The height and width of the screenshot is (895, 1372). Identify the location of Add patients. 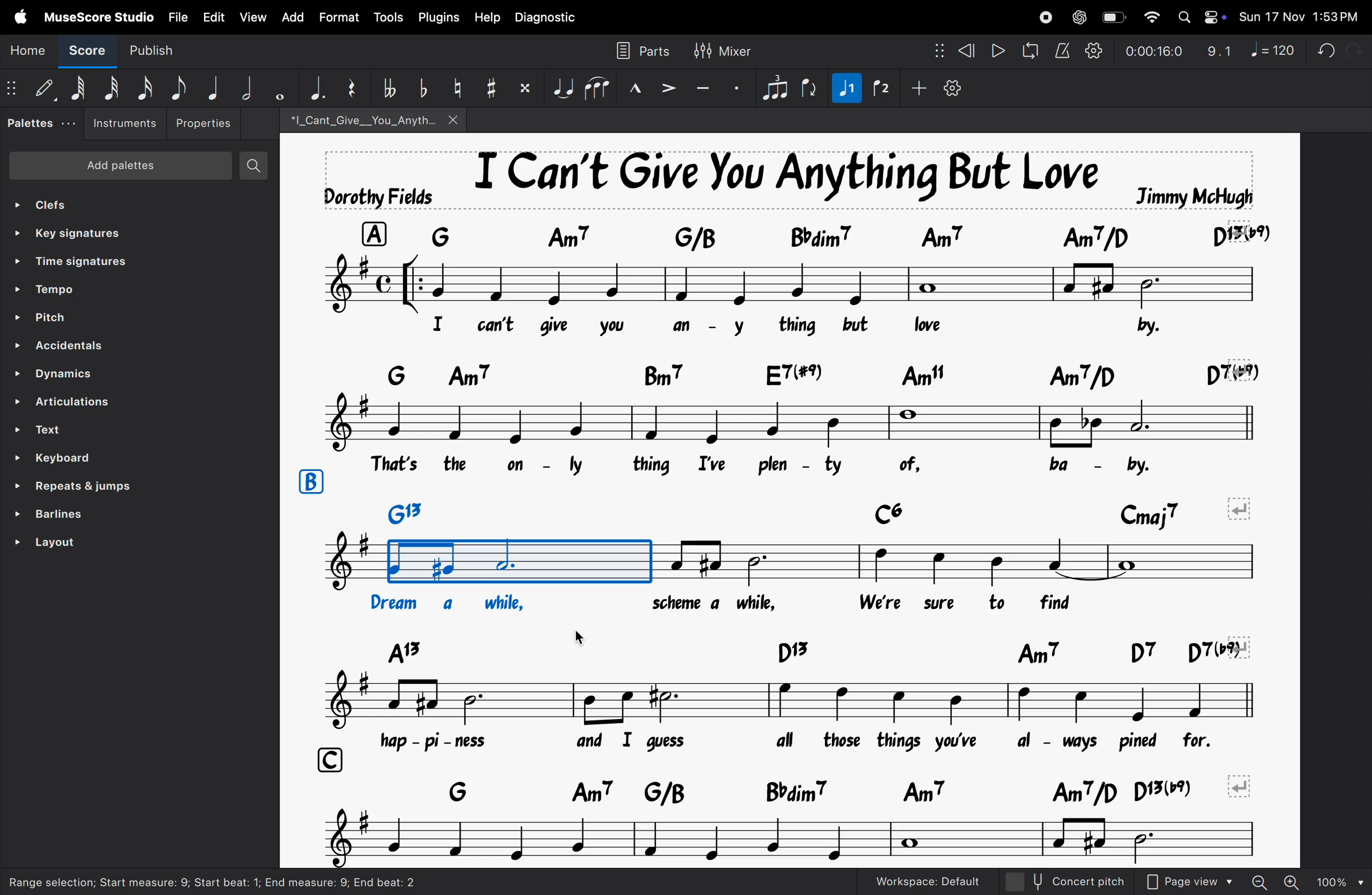
(121, 166).